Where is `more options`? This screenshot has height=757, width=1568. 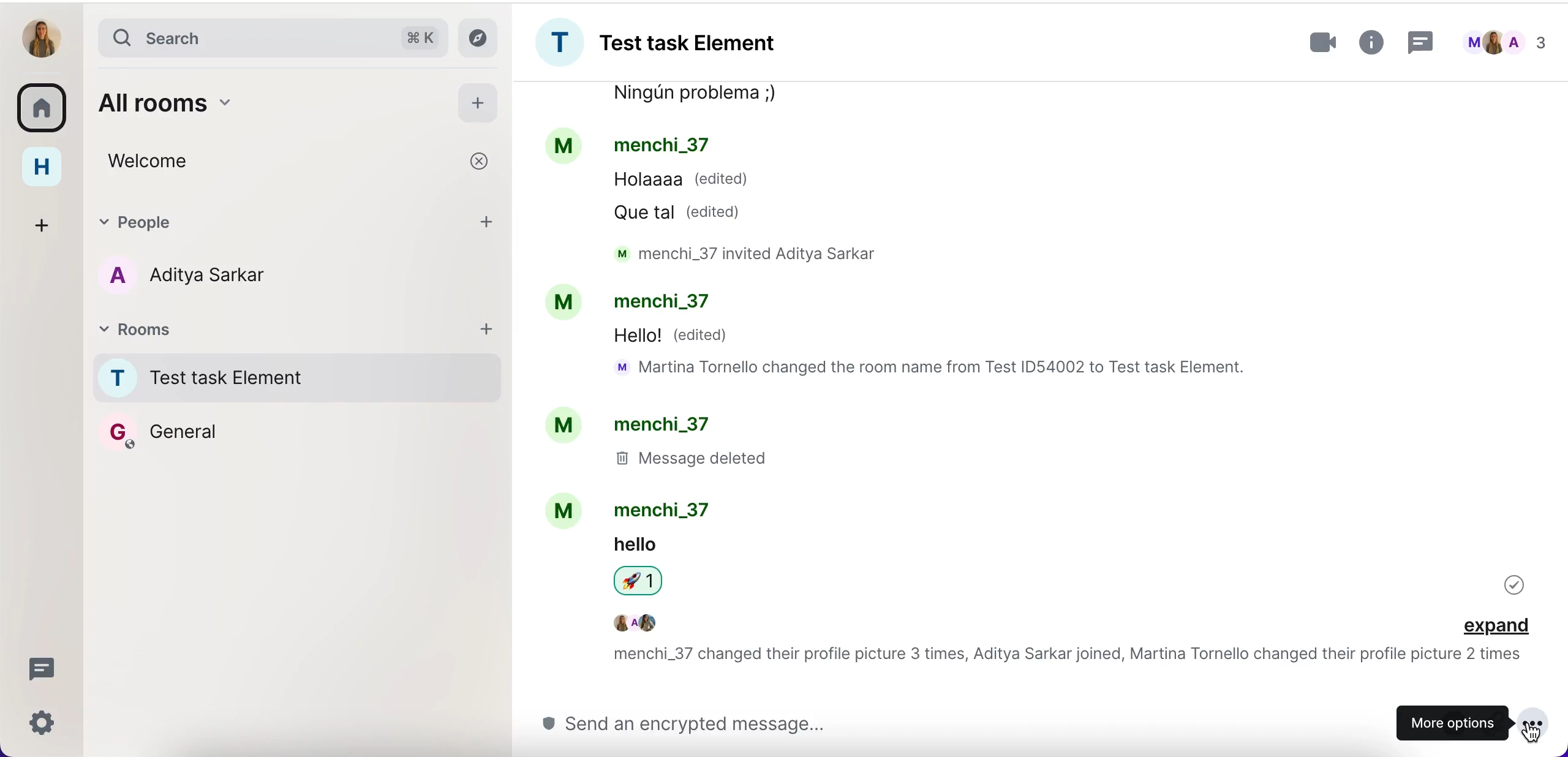
more options is located at coordinates (1534, 722).